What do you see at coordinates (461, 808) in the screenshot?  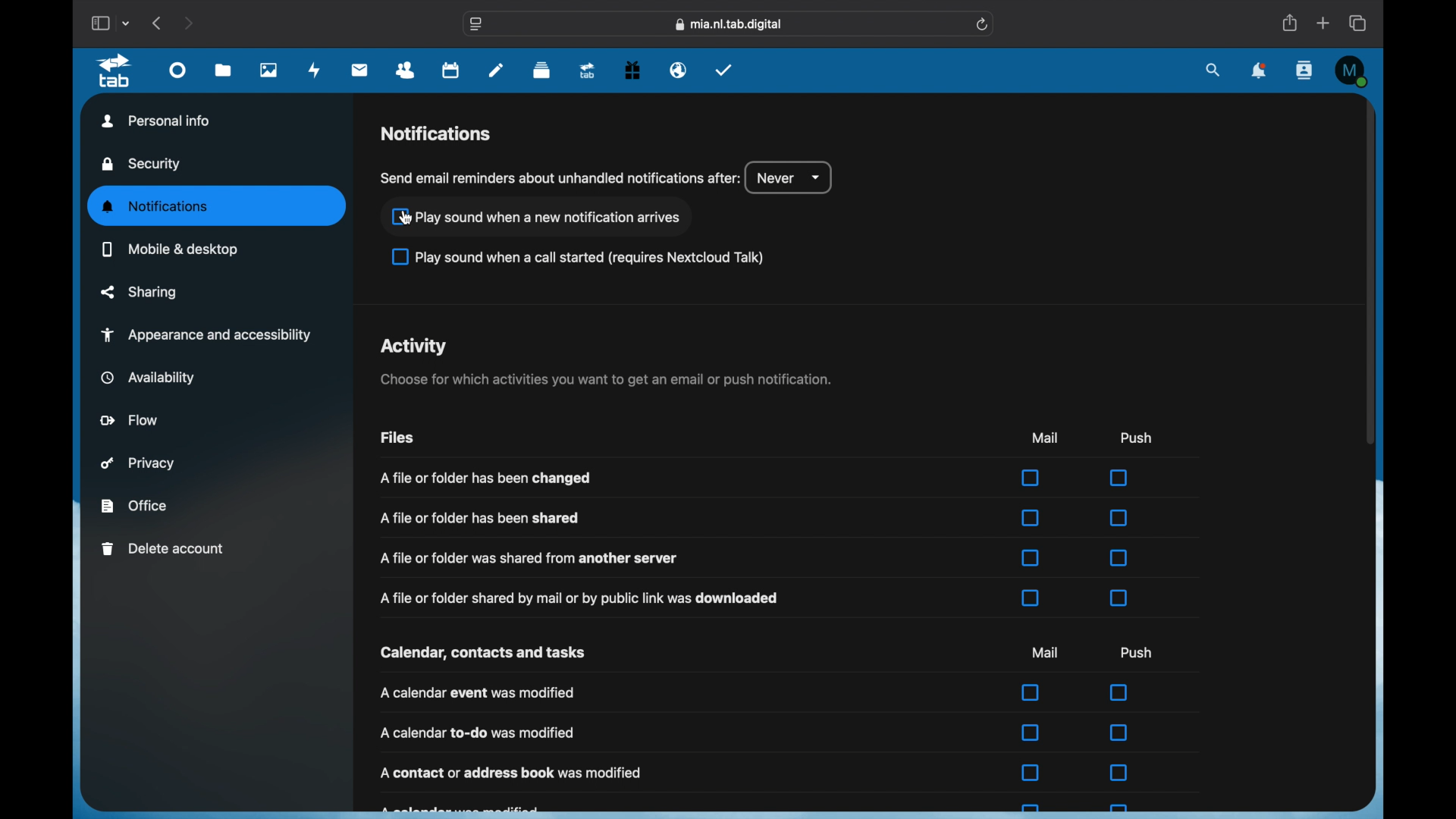 I see `obscured text` at bounding box center [461, 808].